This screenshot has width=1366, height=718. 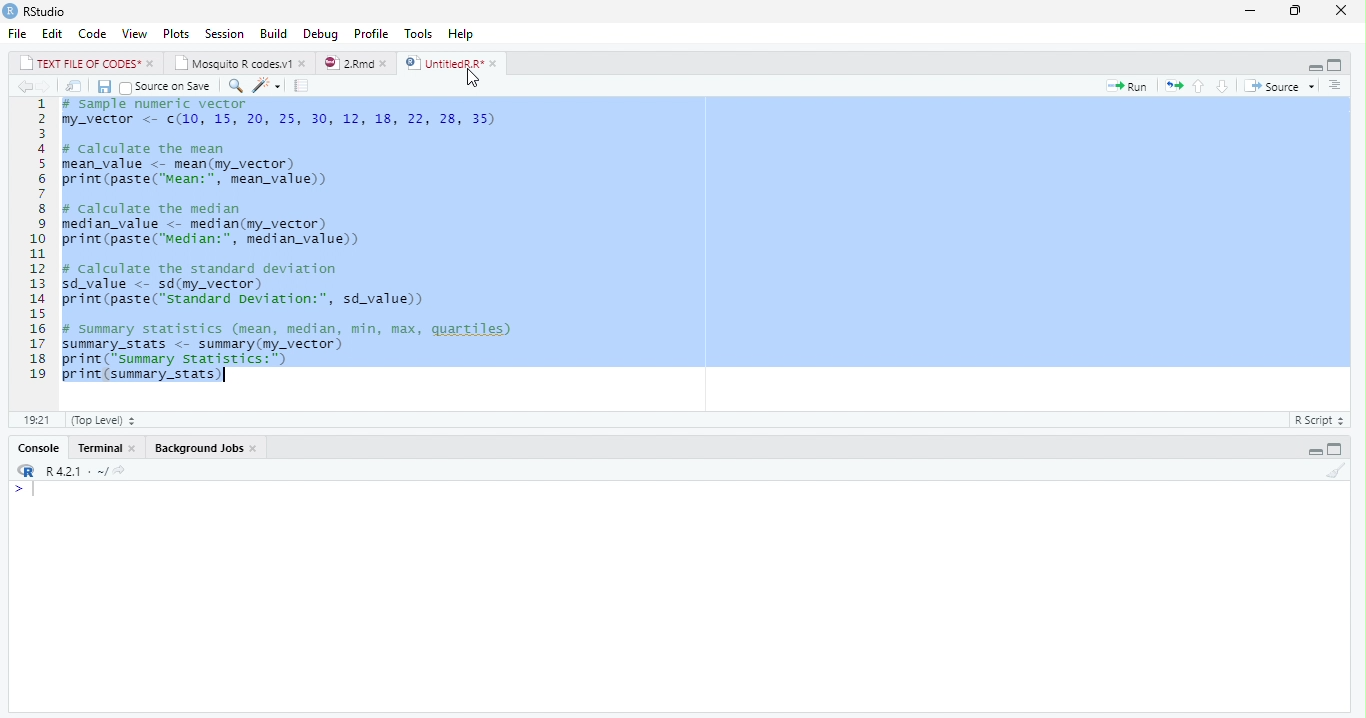 I want to click on RStudio, so click(x=47, y=12).